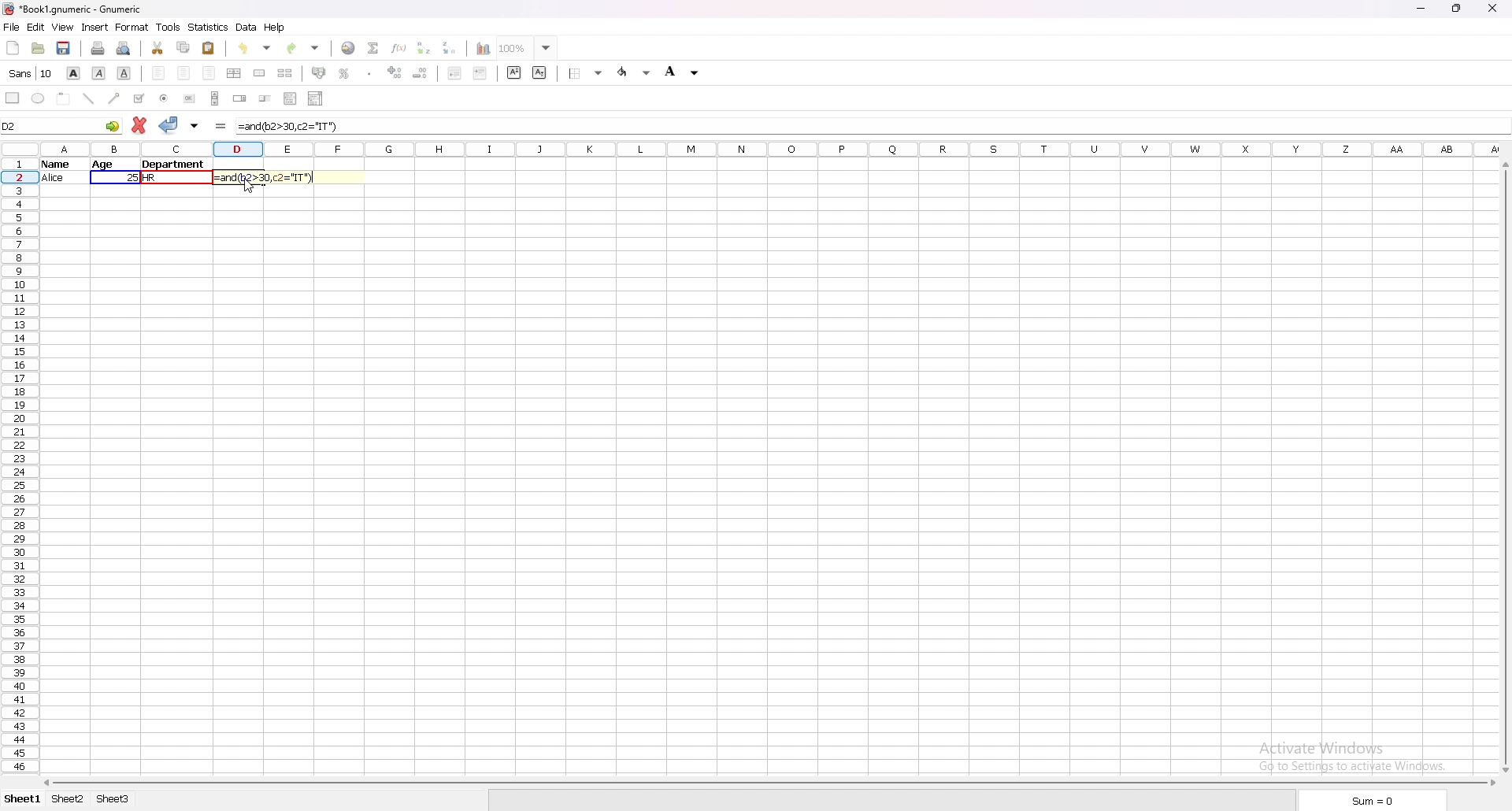 This screenshot has height=811, width=1512. What do you see at coordinates (249, 187) in the screenshot?
I see `cursor` at bounding box center [249, 187].